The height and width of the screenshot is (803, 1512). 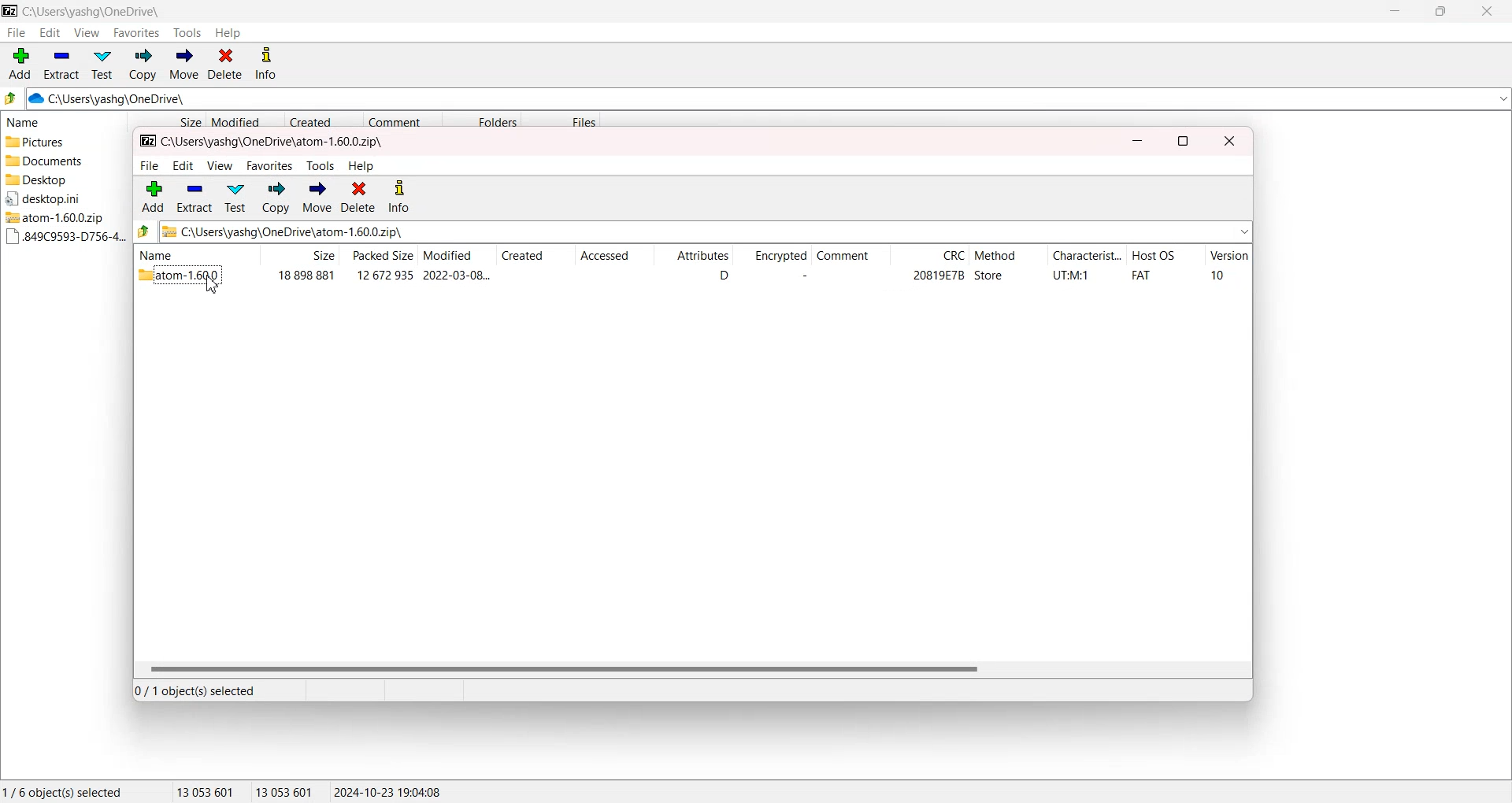 What do you see at coordinates (188, 33) in the screenshot?
I see `Tools` at bounding box center [188, 33].